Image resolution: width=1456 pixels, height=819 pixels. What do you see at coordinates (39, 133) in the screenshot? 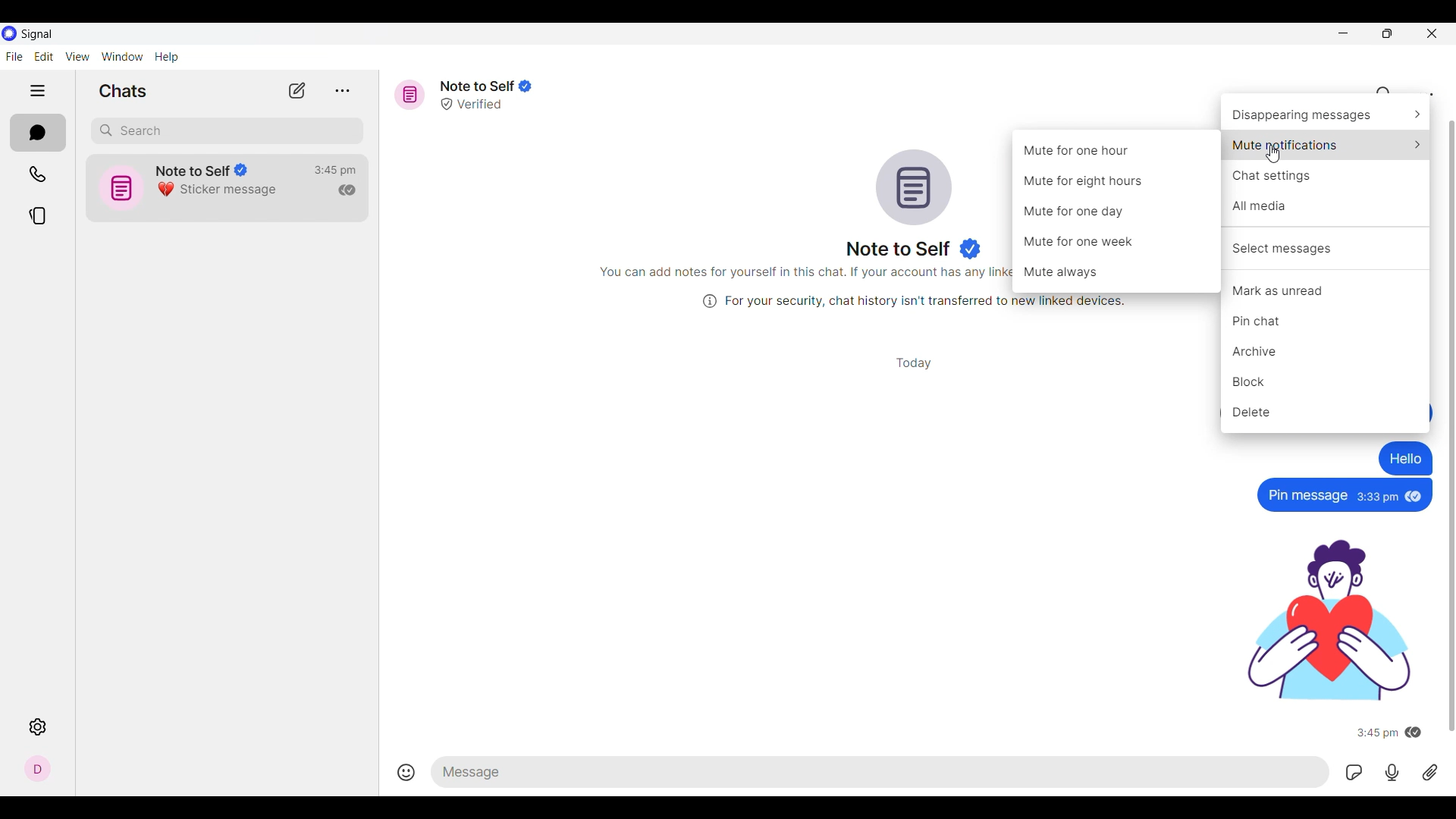
I see `Chats, current section highlighted` at bounding box center [39, 133].